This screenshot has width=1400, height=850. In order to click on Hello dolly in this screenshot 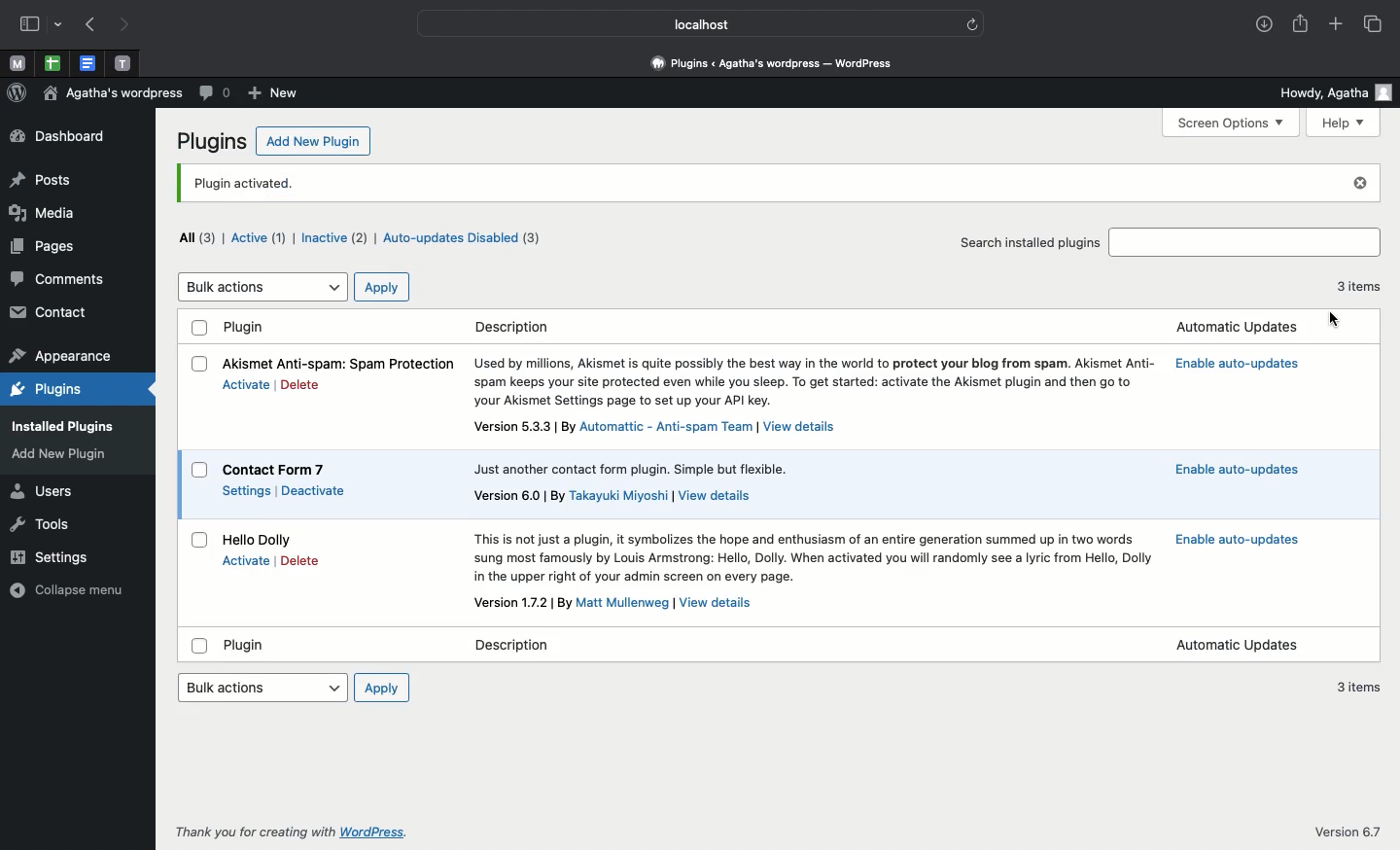, I will do `click(262, 539)`.